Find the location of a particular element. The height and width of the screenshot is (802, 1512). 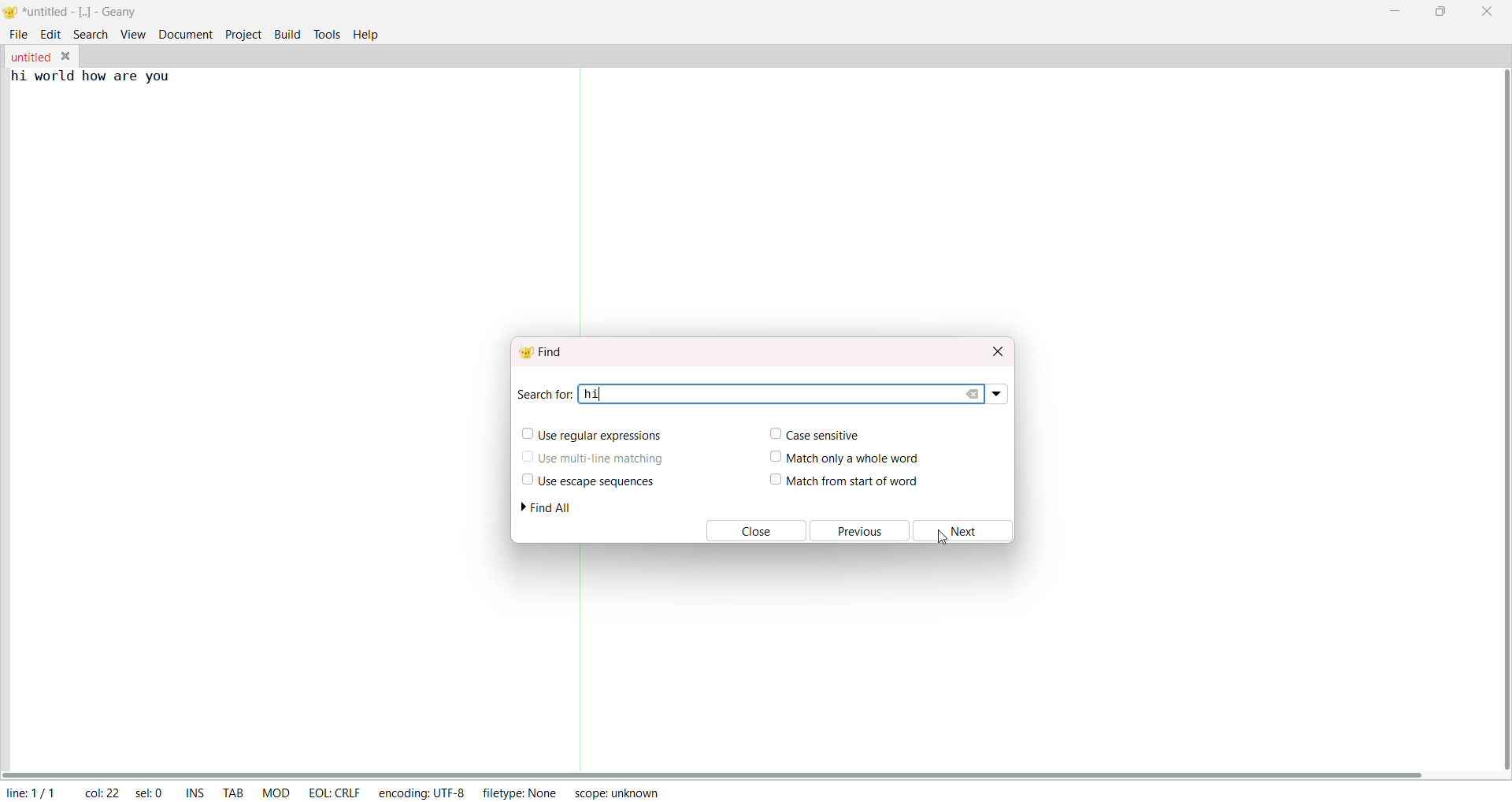

close is located at coordinates (997, 351).